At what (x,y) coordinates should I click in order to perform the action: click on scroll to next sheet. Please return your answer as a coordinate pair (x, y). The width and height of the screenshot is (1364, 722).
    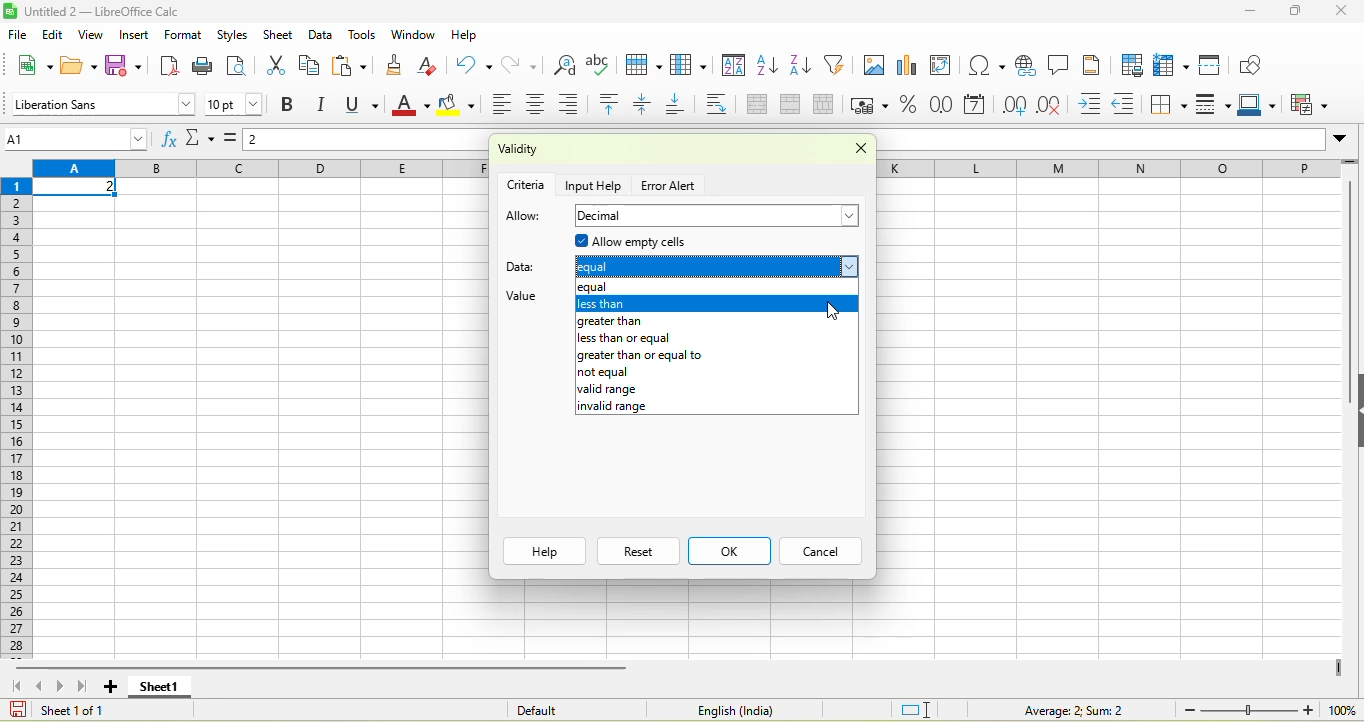
    Looking at the image, I should click on (63, 687).